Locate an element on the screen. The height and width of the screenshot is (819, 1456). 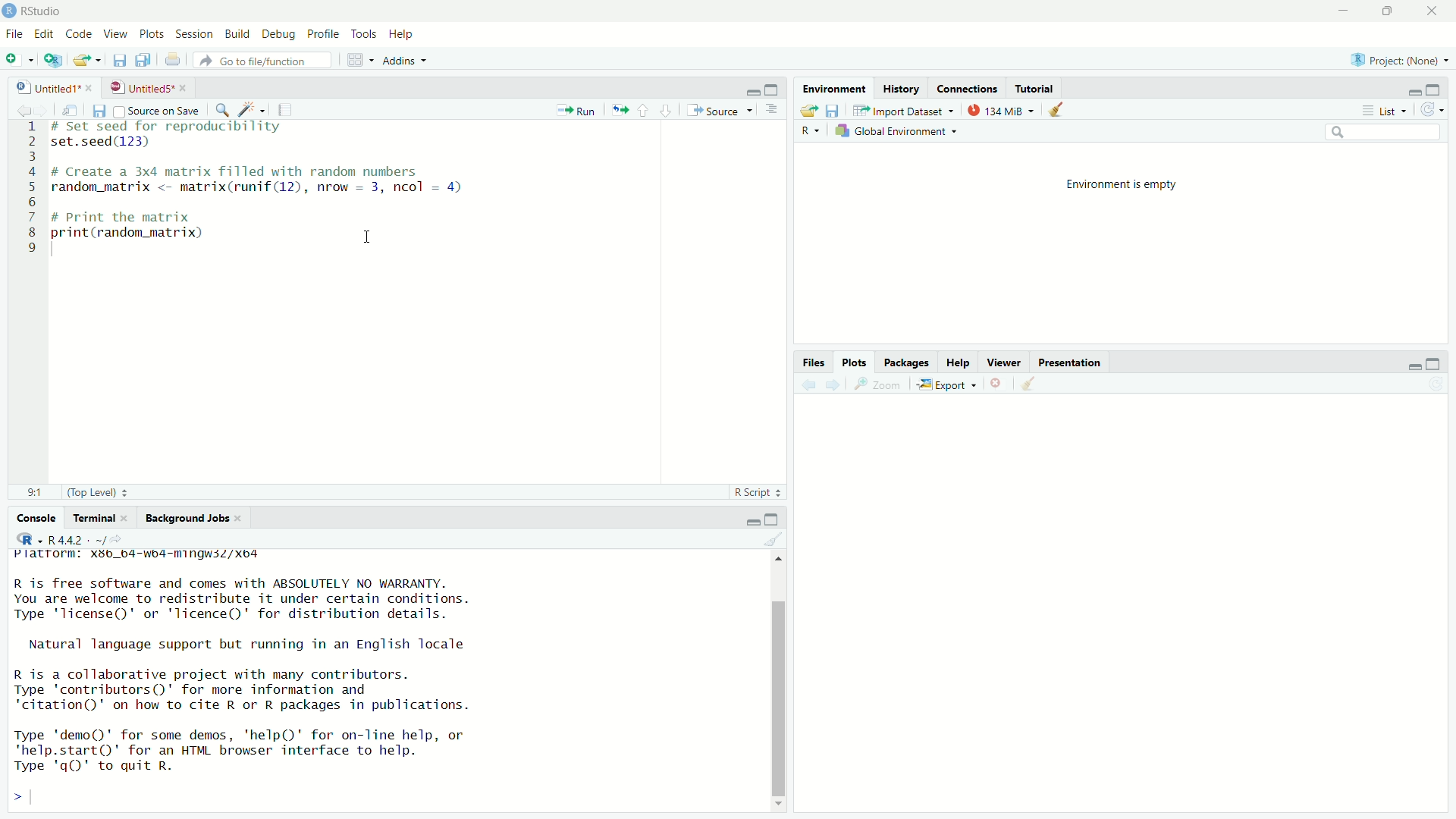
next is located at coordinates (839, 385).